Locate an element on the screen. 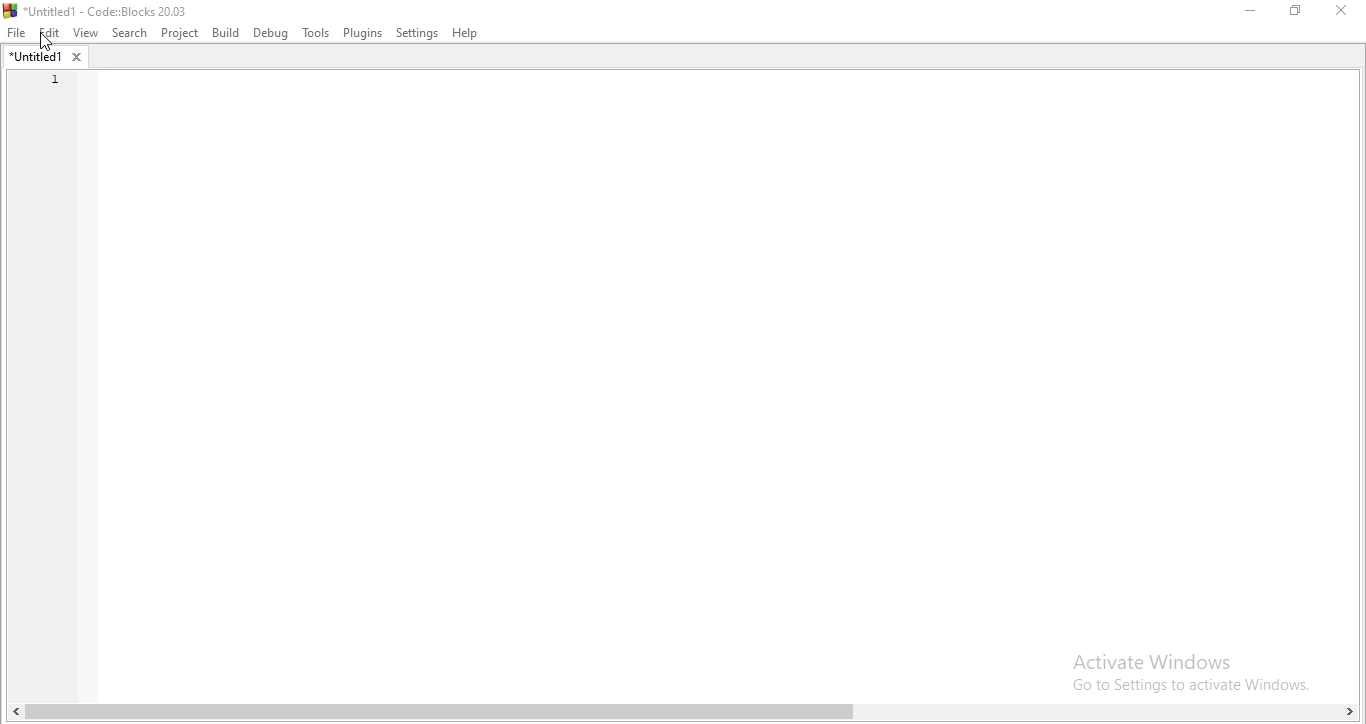 This screenshot has width=1366, height=724. File is located at coordinates (17, 31).